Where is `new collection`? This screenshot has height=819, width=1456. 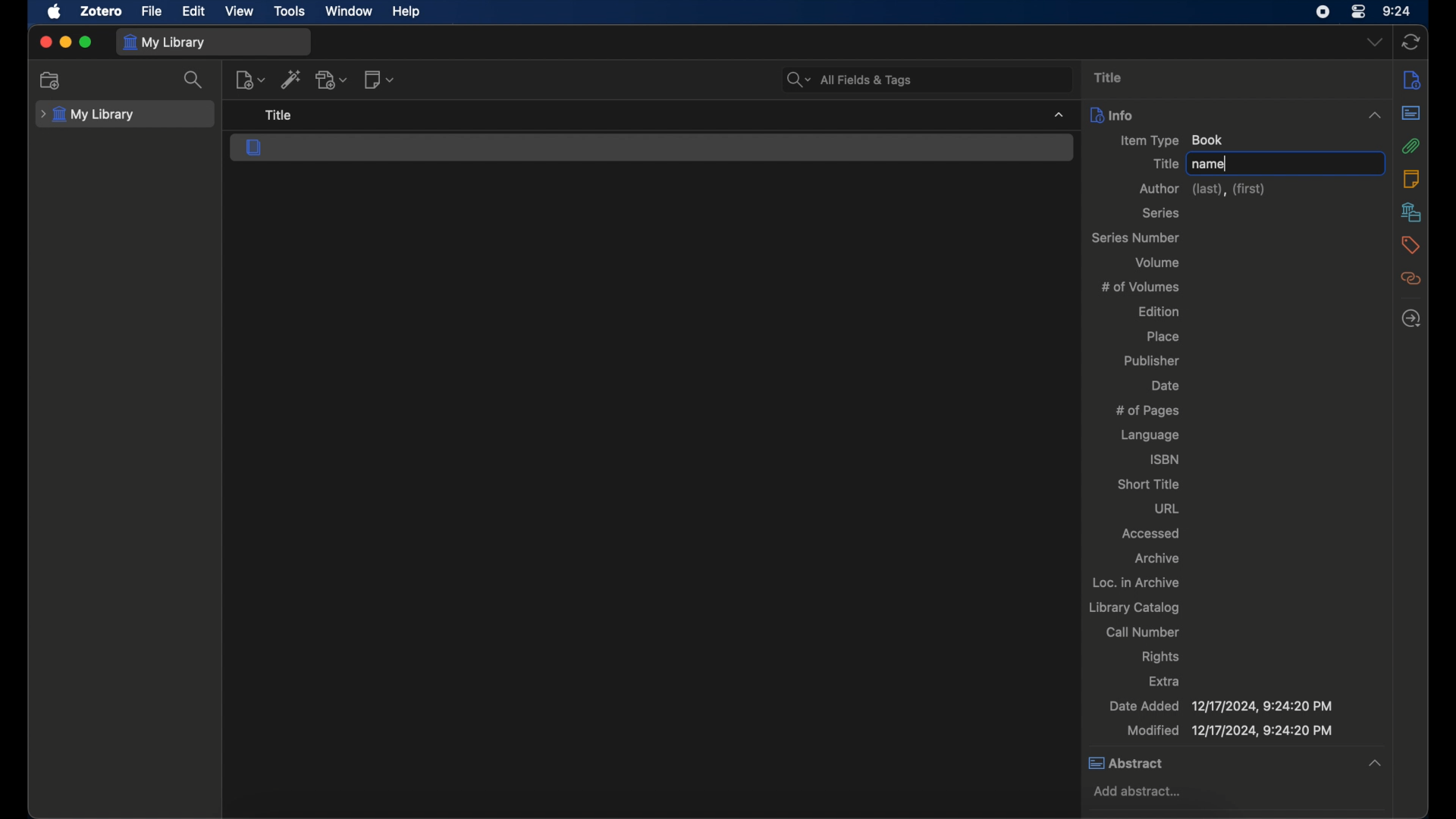 new collection is located at coordinates (50, 80).